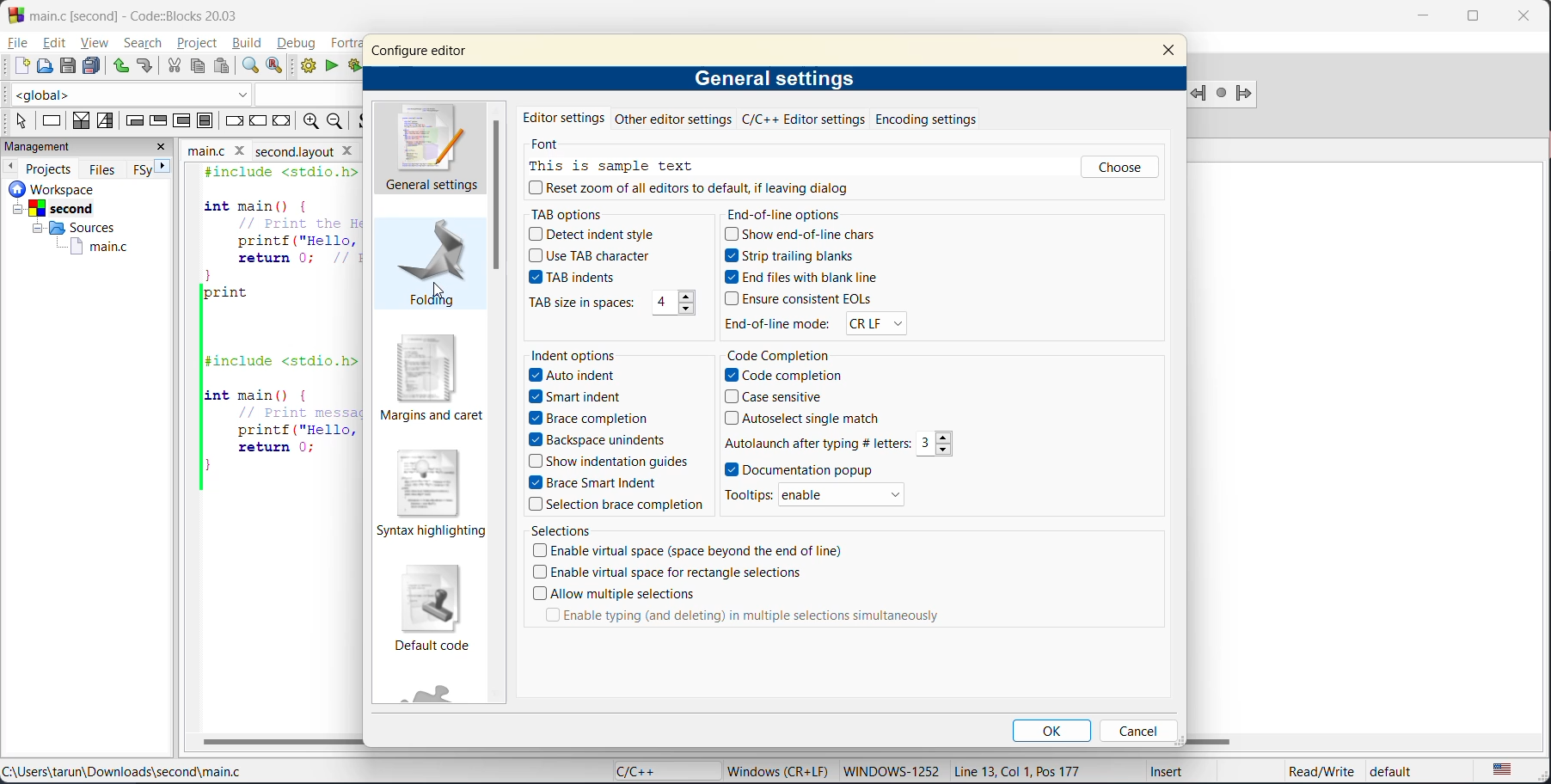 The image size is (1551, 784). What do you see at coordinates (161, 119) in the screenshot?
I see `exit condition loop` at bounding box center [161, 119].